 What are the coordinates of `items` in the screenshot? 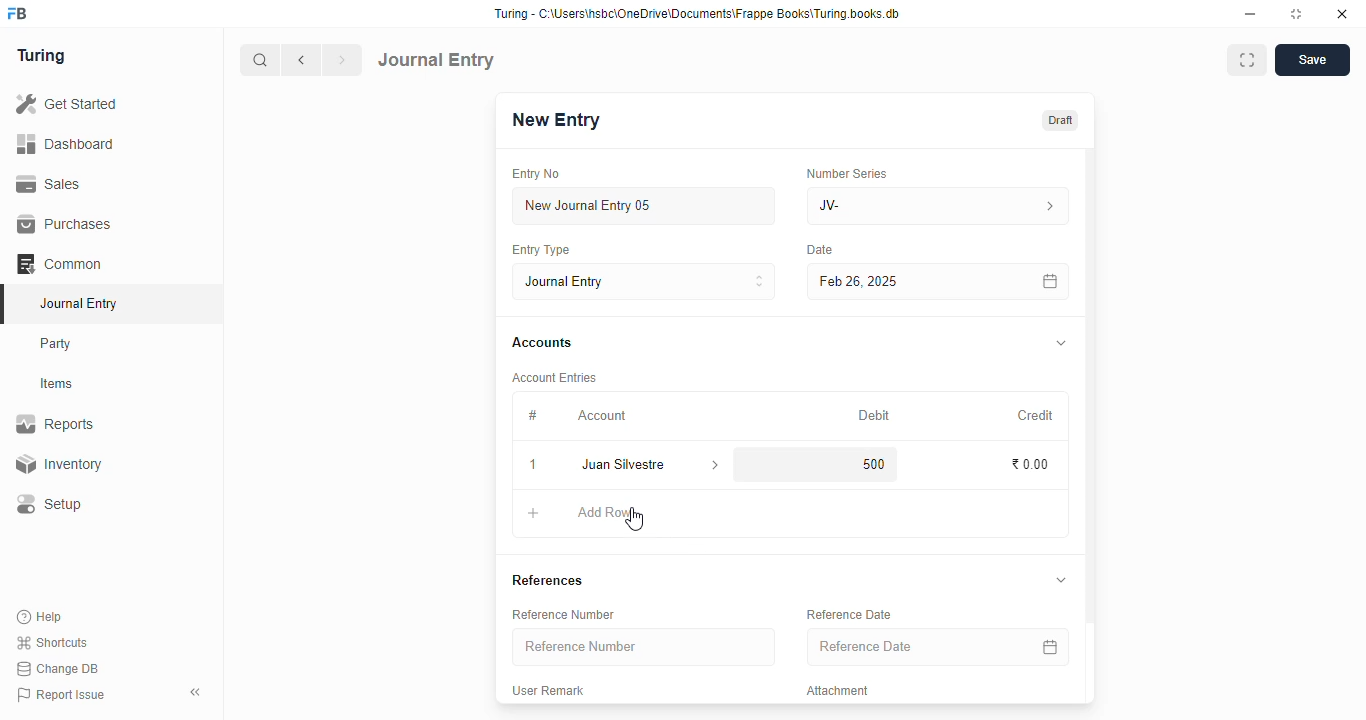 It's located at (59, 384).